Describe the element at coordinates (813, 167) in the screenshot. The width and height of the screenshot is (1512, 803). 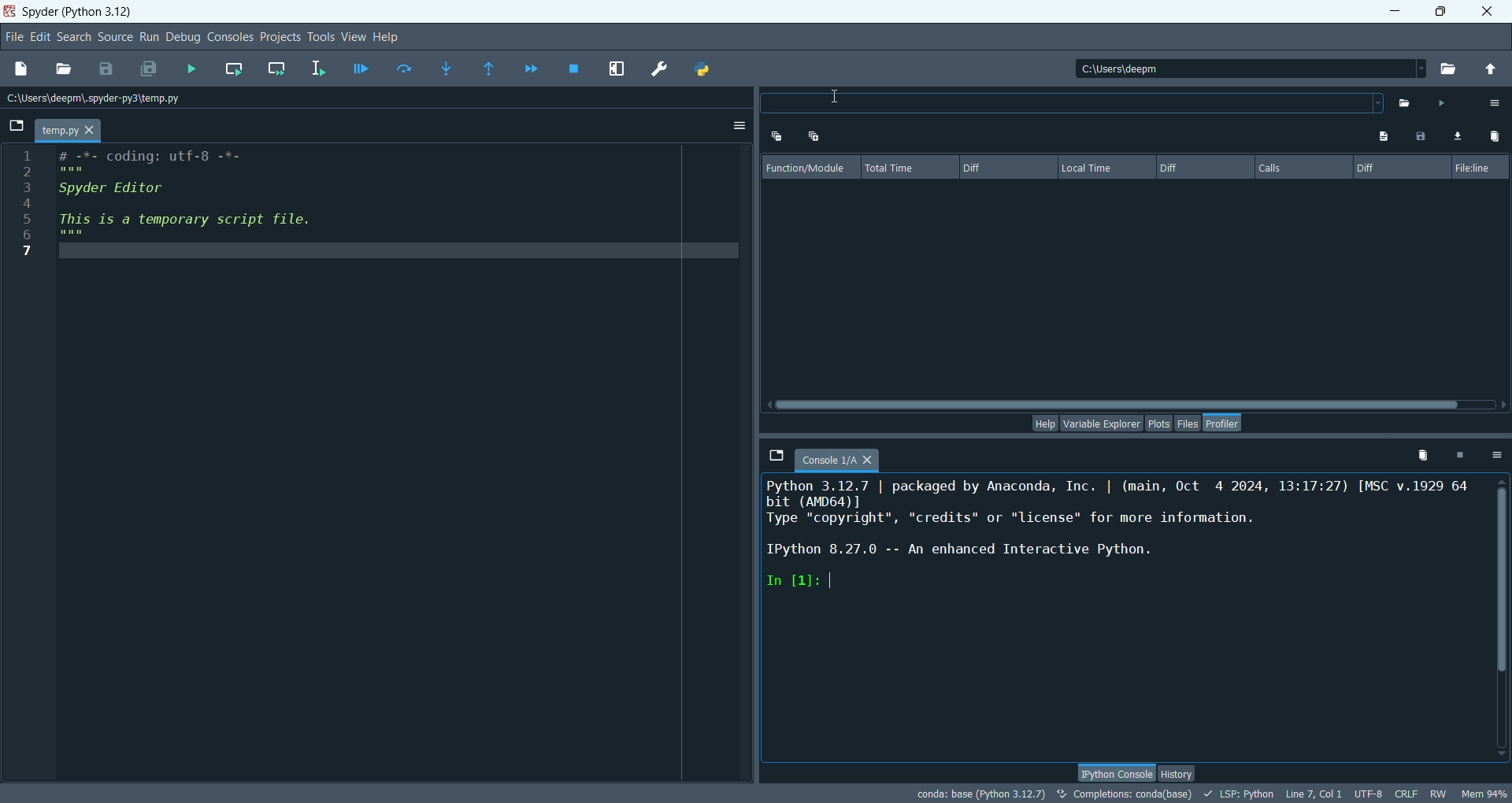
I see `function` at that location.